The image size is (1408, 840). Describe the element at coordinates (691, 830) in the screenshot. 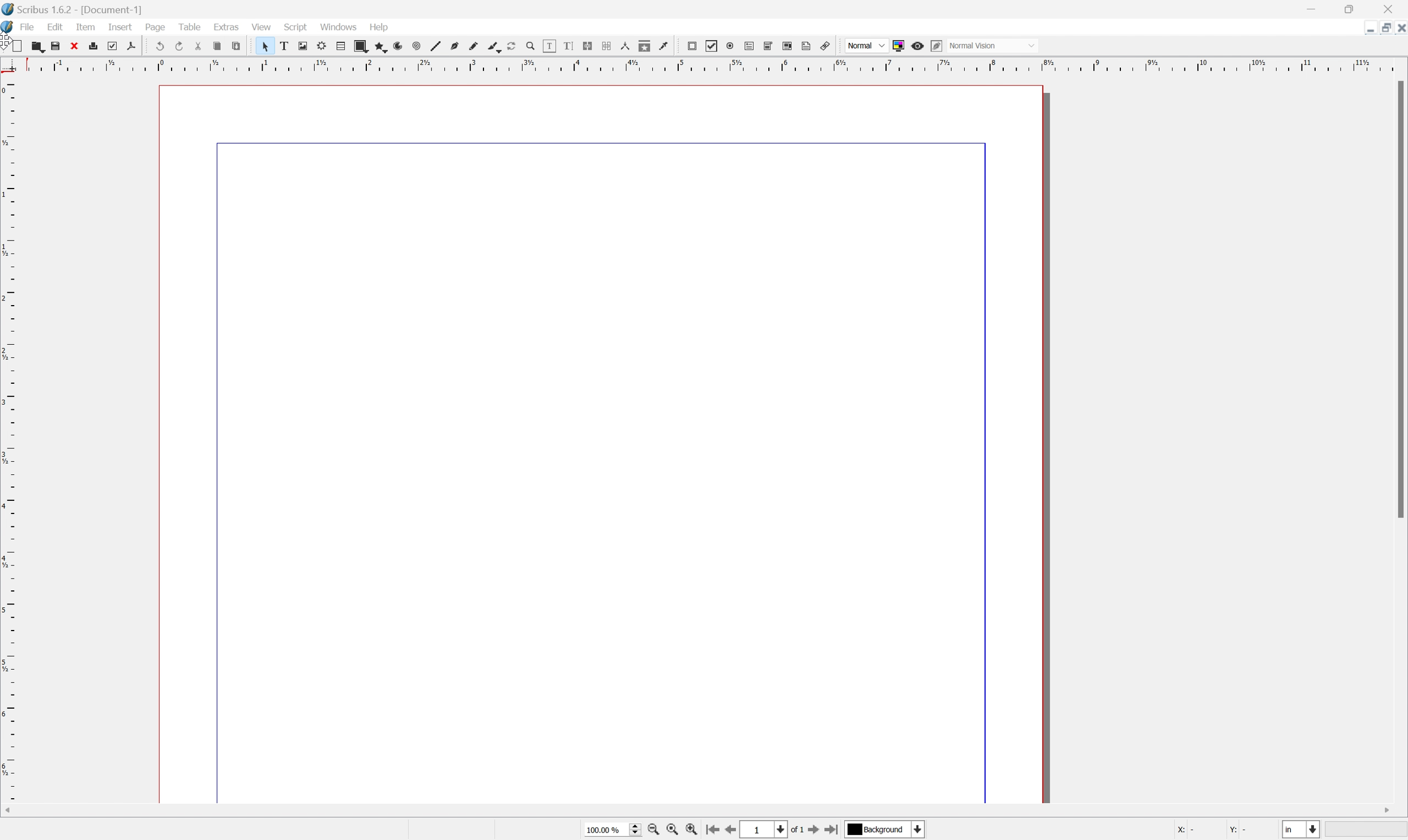

I see `zoom in` at that location.